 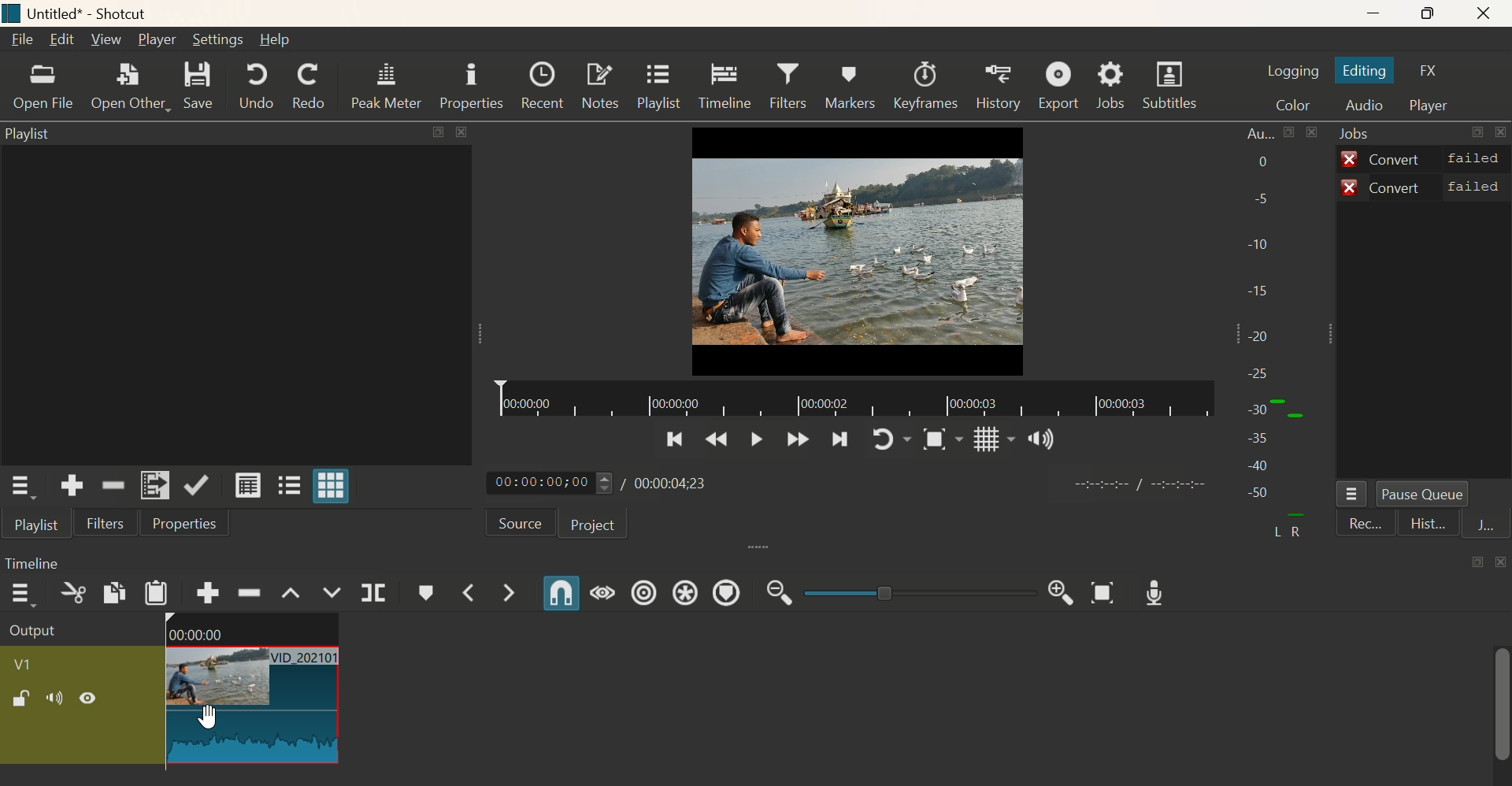 What do you see at coordinates (658, 87) in the screenshot?
I see `Playlist` at bounding box center [658, 87].